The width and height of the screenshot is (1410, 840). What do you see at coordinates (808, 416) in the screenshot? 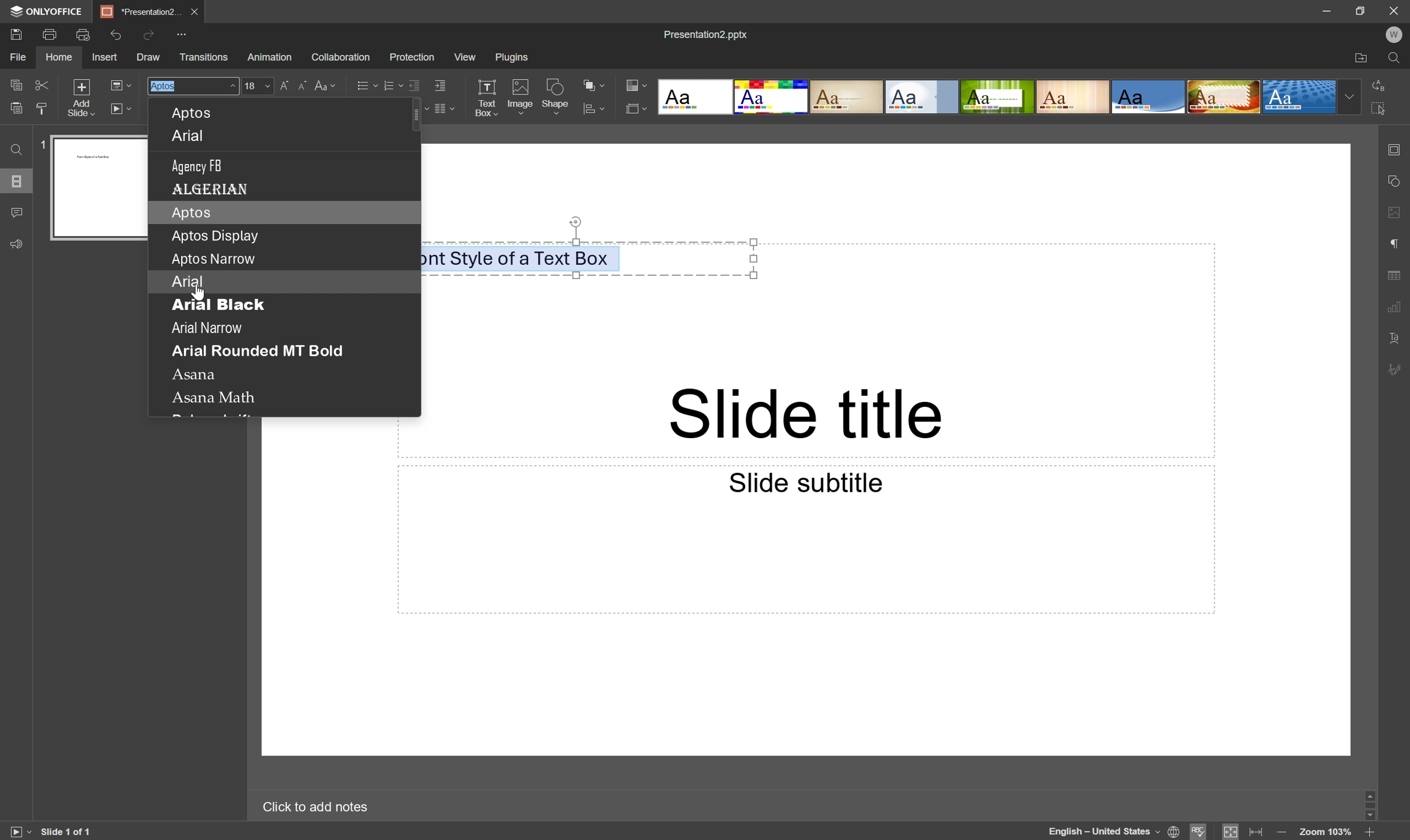
I see `Slide title` at bounding box center [808, 416].